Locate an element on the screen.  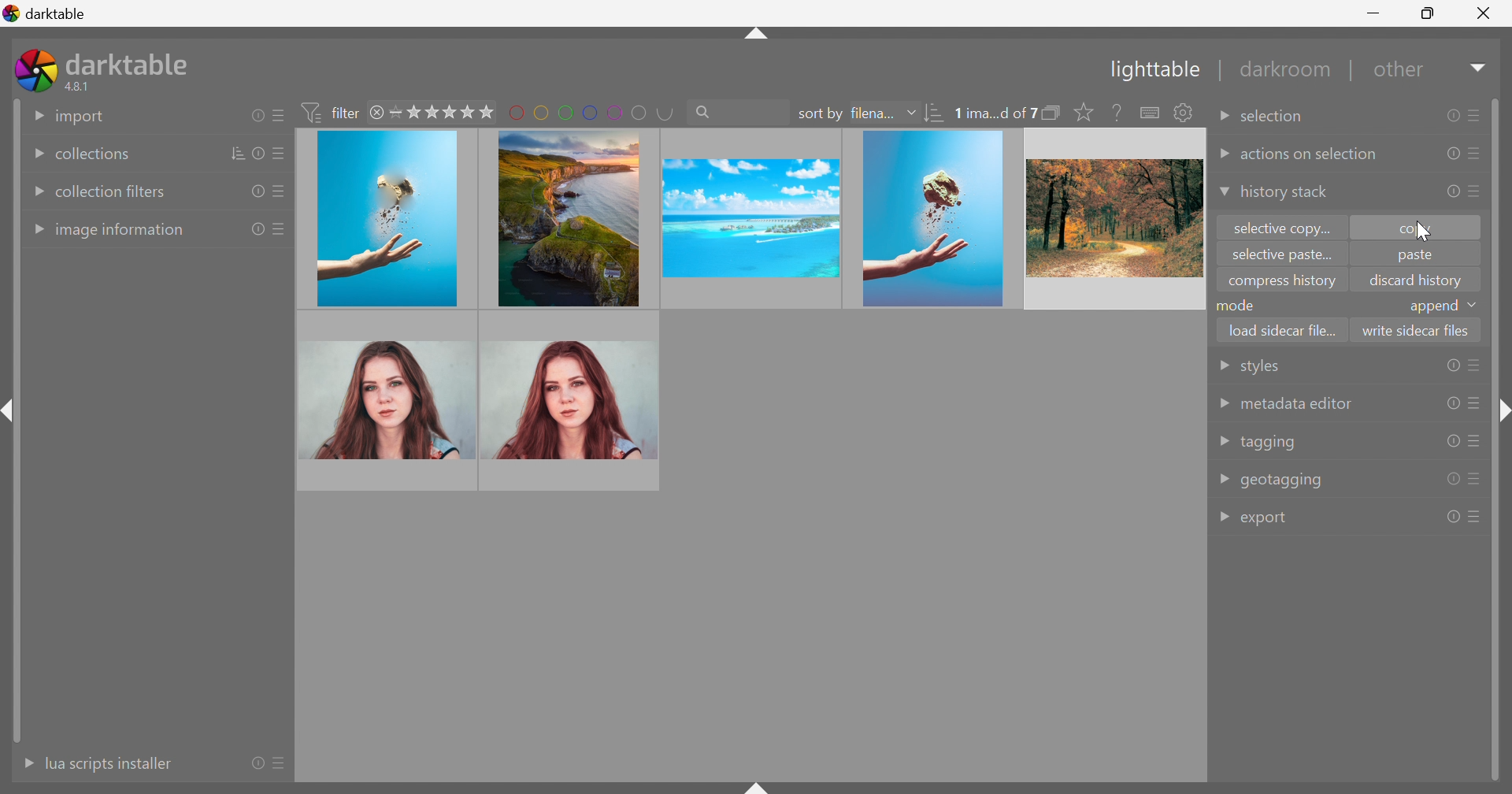
reset is located at coordinates (1451, 365).